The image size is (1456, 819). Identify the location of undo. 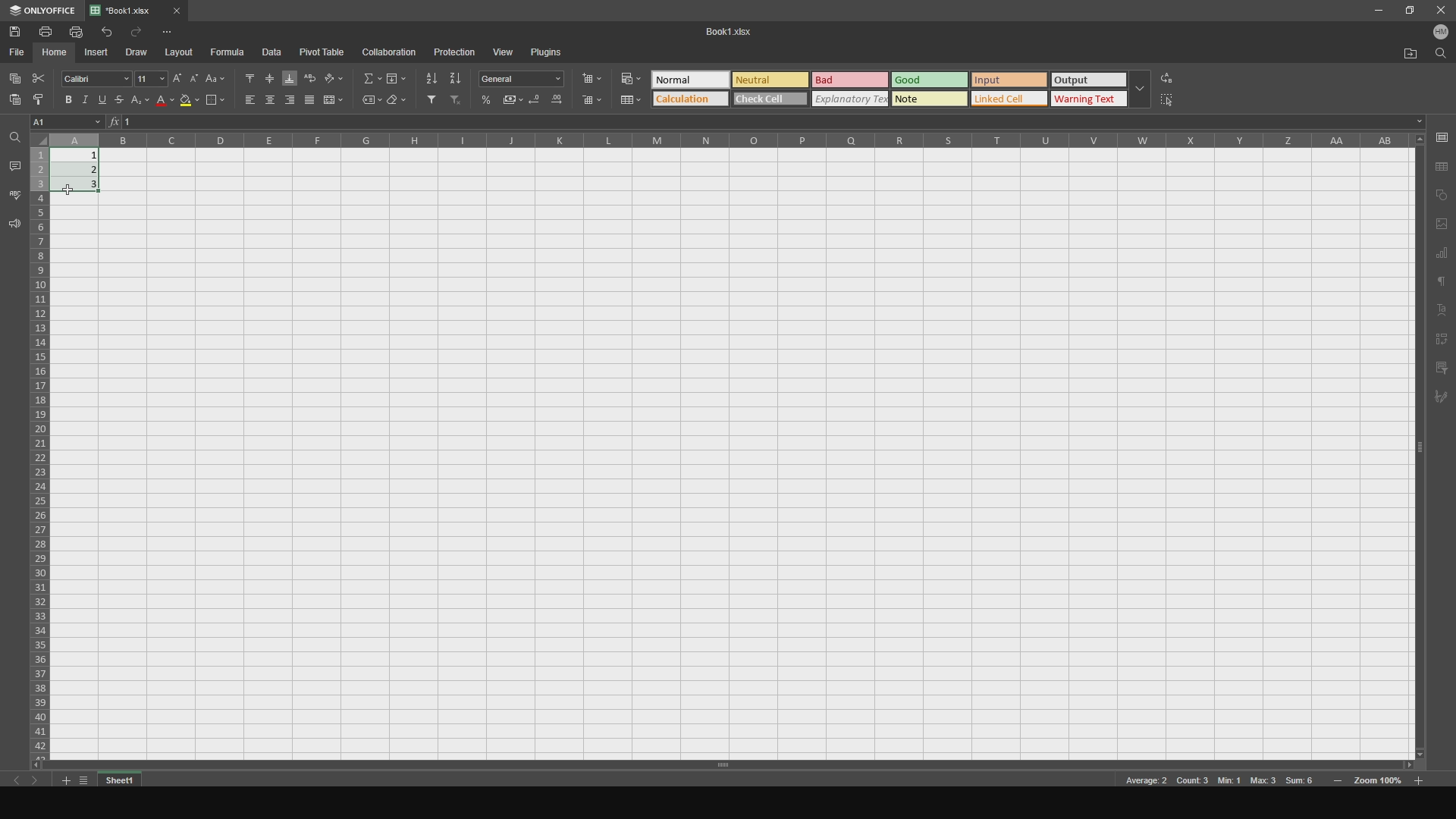
(105, 31).